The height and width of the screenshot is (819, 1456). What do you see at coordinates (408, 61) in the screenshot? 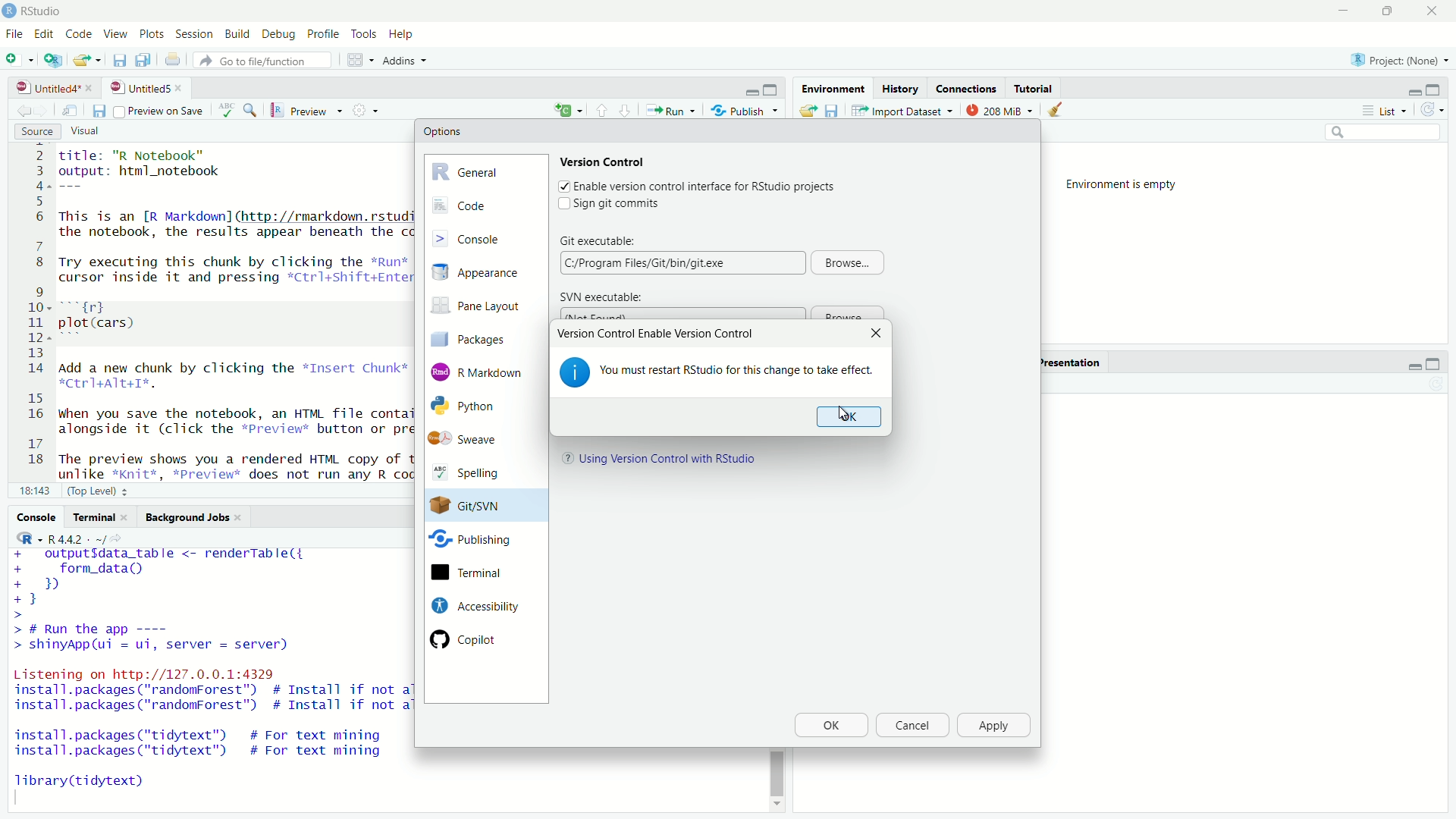
I see `Addins` at bounding box center [408, 61].